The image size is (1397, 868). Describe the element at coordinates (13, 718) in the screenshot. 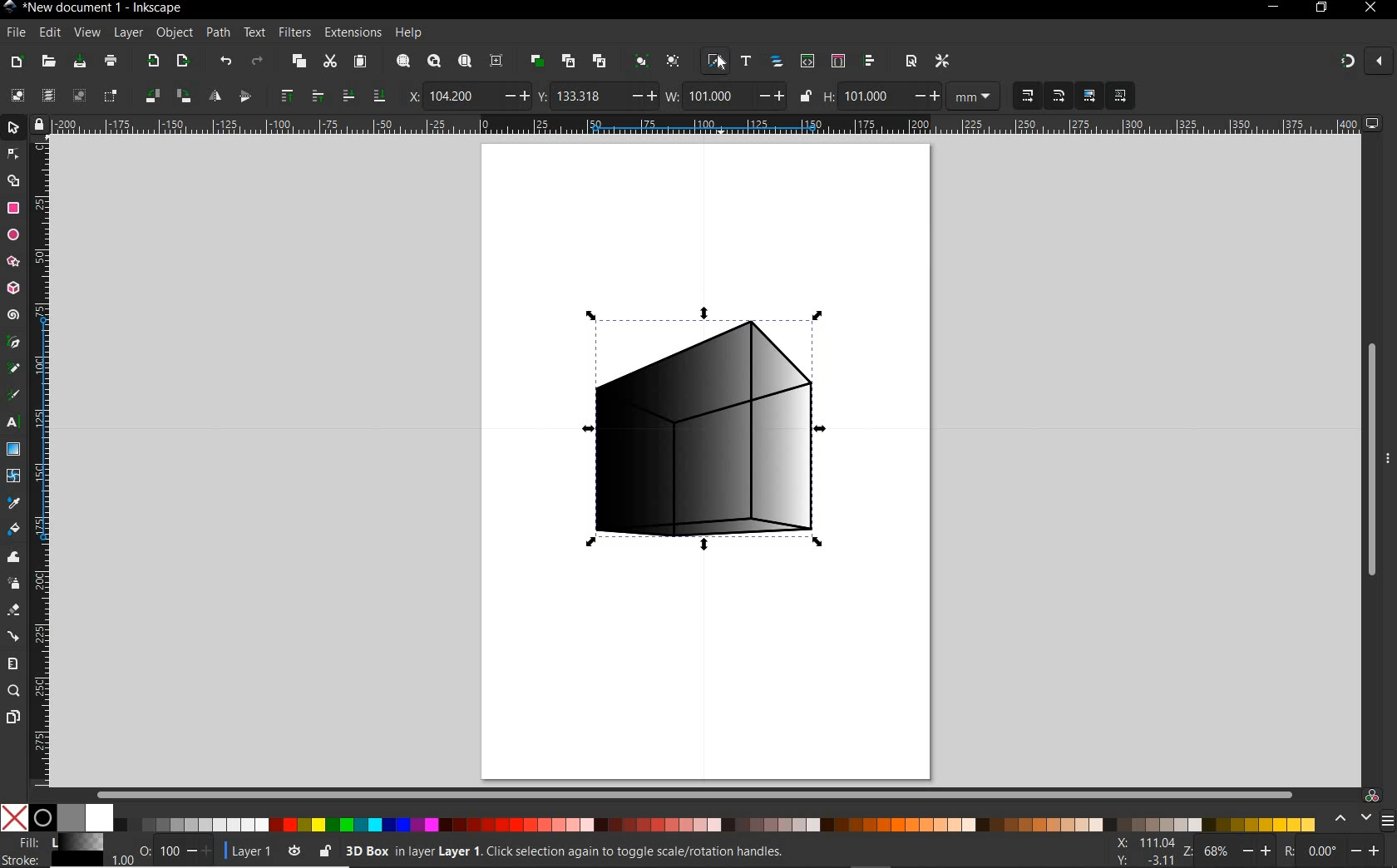

I see `PAGES TOOL` at that location.